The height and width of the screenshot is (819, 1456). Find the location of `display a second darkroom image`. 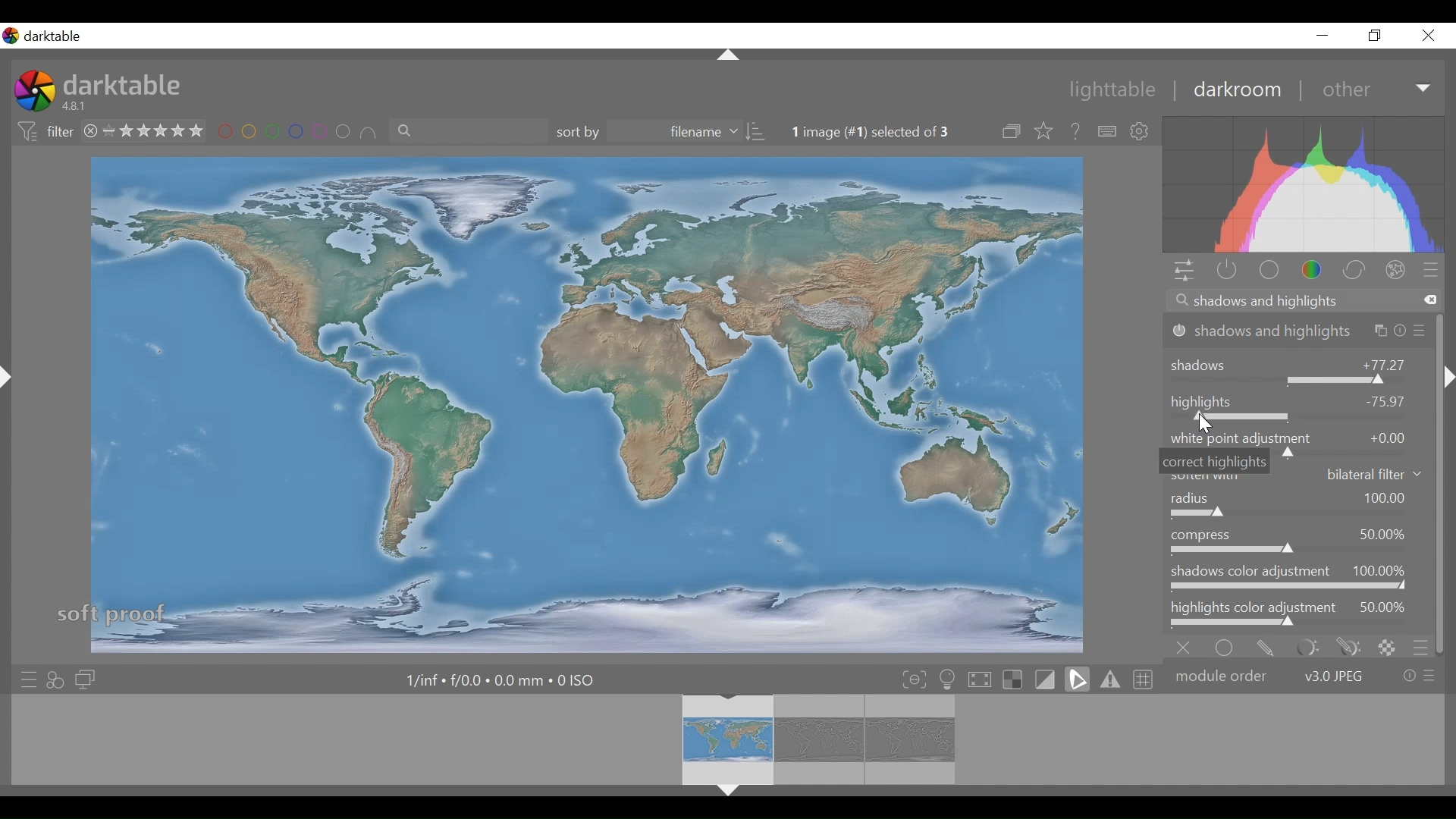

display a second darkroom image is located at coordinates (84, 679).